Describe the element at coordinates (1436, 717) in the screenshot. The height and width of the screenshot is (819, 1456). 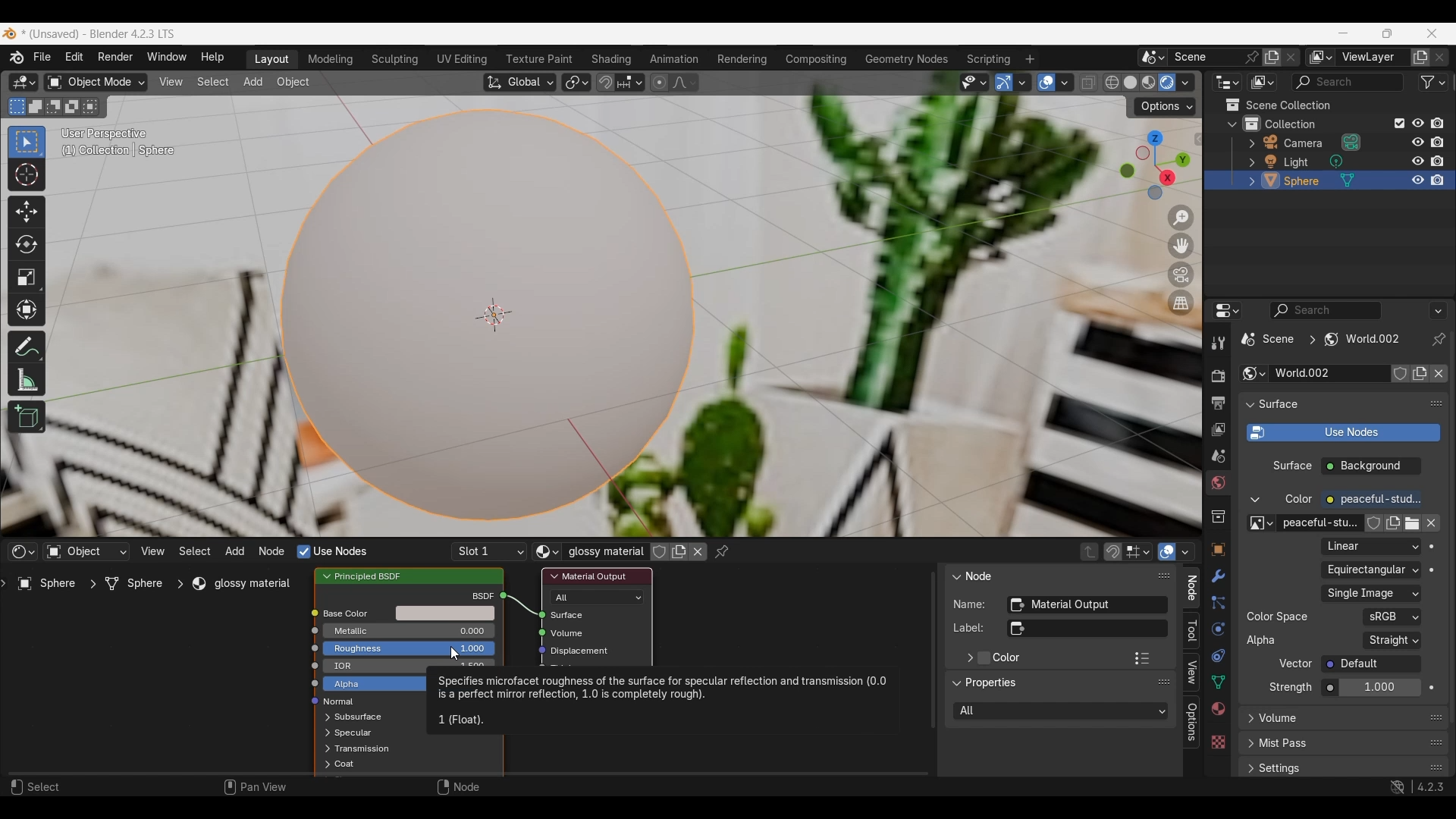
I see `Float volume` at that location.